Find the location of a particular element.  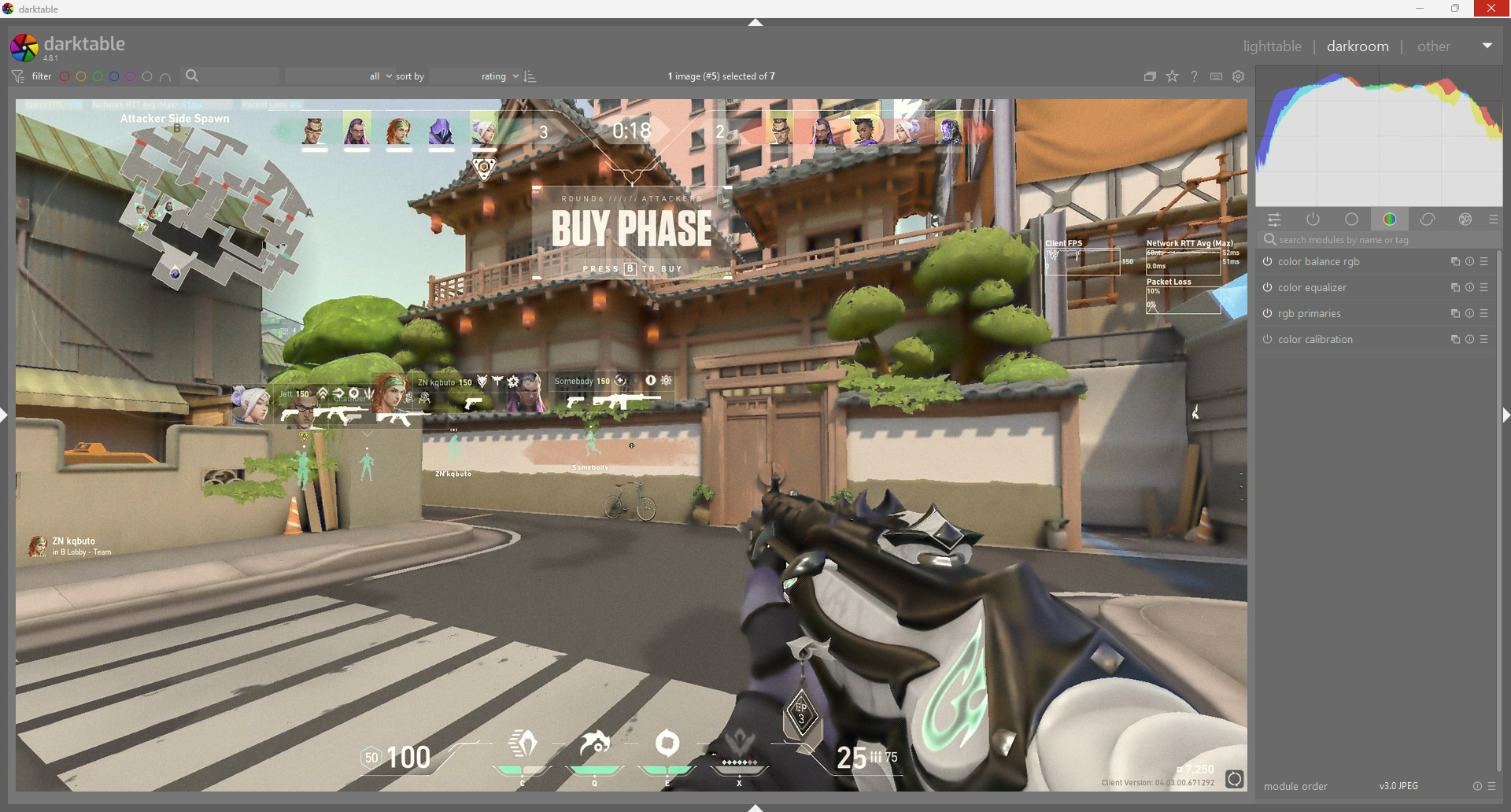

color labels is located at coordinates (106, 77).